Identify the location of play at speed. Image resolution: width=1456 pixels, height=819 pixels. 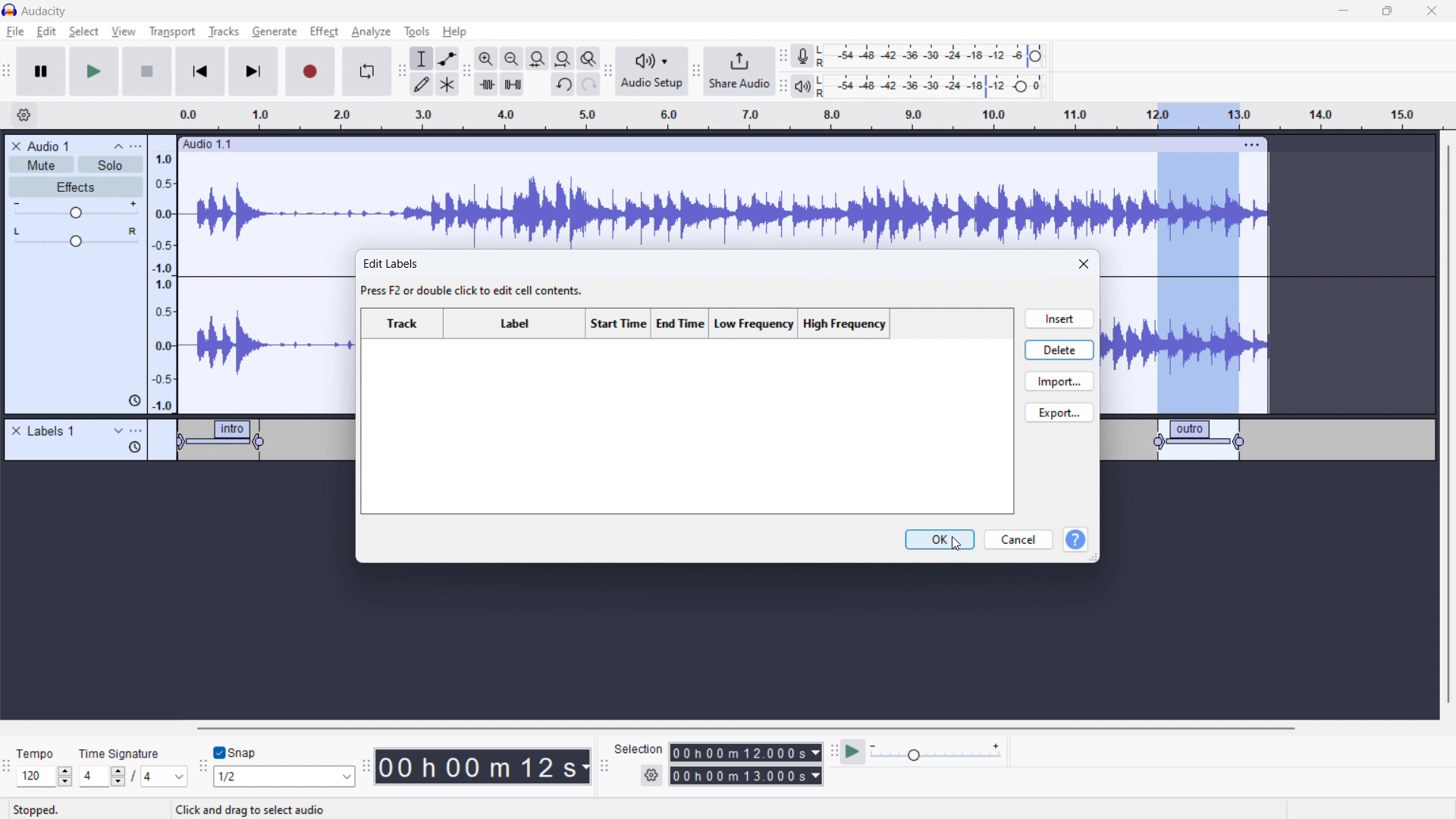
(852, 751).